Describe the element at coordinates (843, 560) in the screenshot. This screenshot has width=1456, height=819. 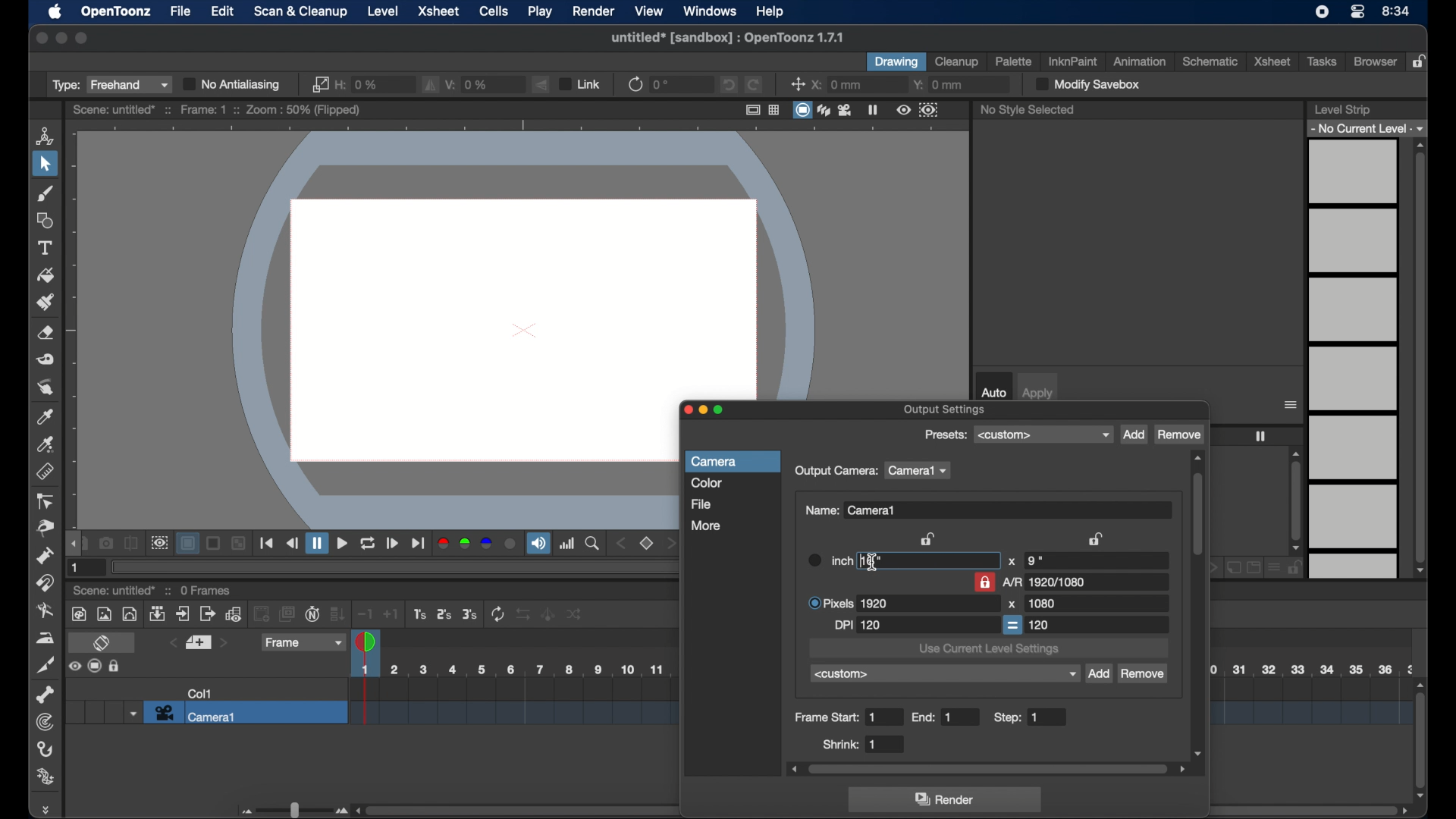
I see `inch` at that location.